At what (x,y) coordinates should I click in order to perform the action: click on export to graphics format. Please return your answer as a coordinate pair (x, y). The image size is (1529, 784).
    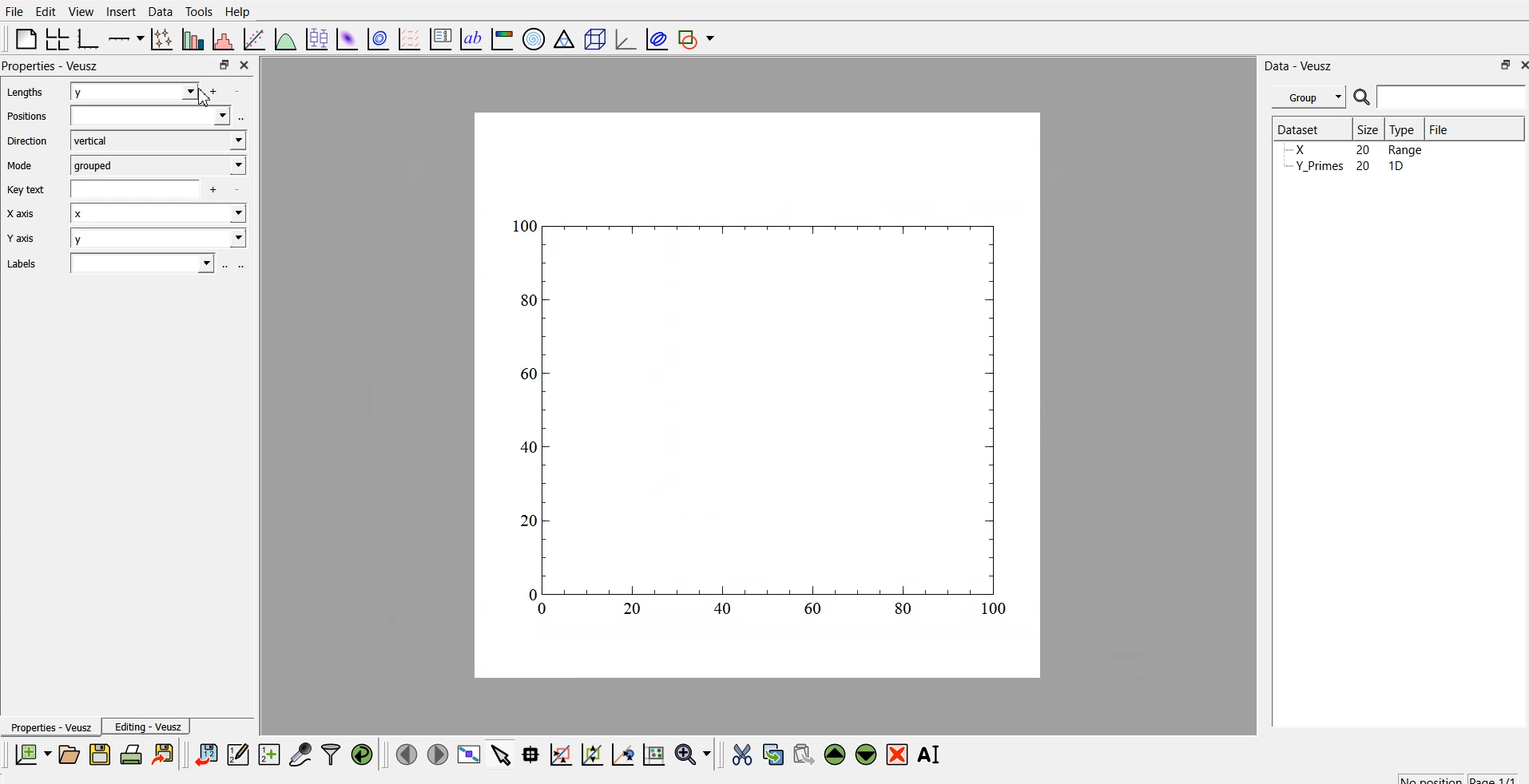
    Looking at the image, I should click on (166, 754).